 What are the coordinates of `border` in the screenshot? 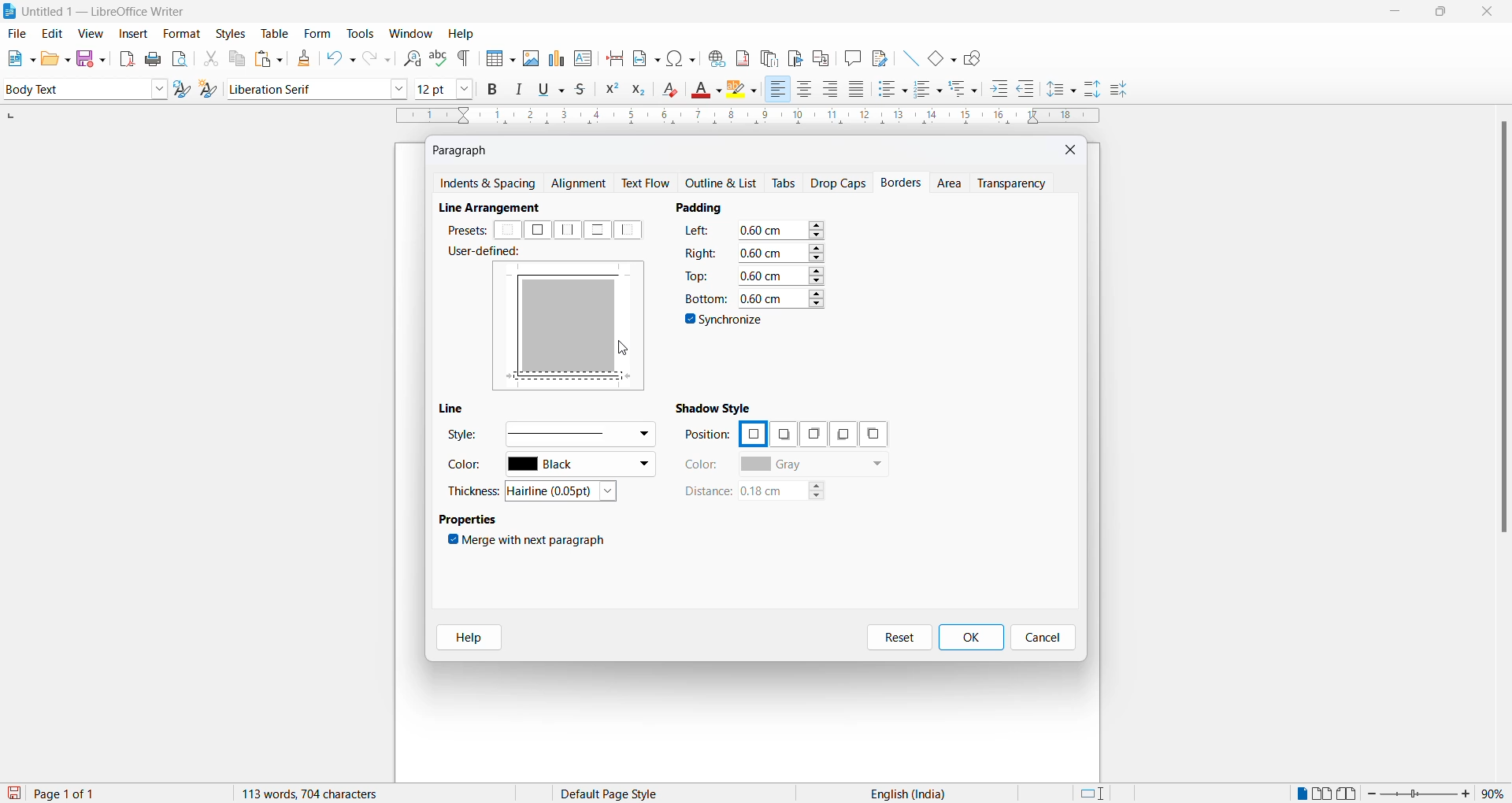 It's located at (517, 321).